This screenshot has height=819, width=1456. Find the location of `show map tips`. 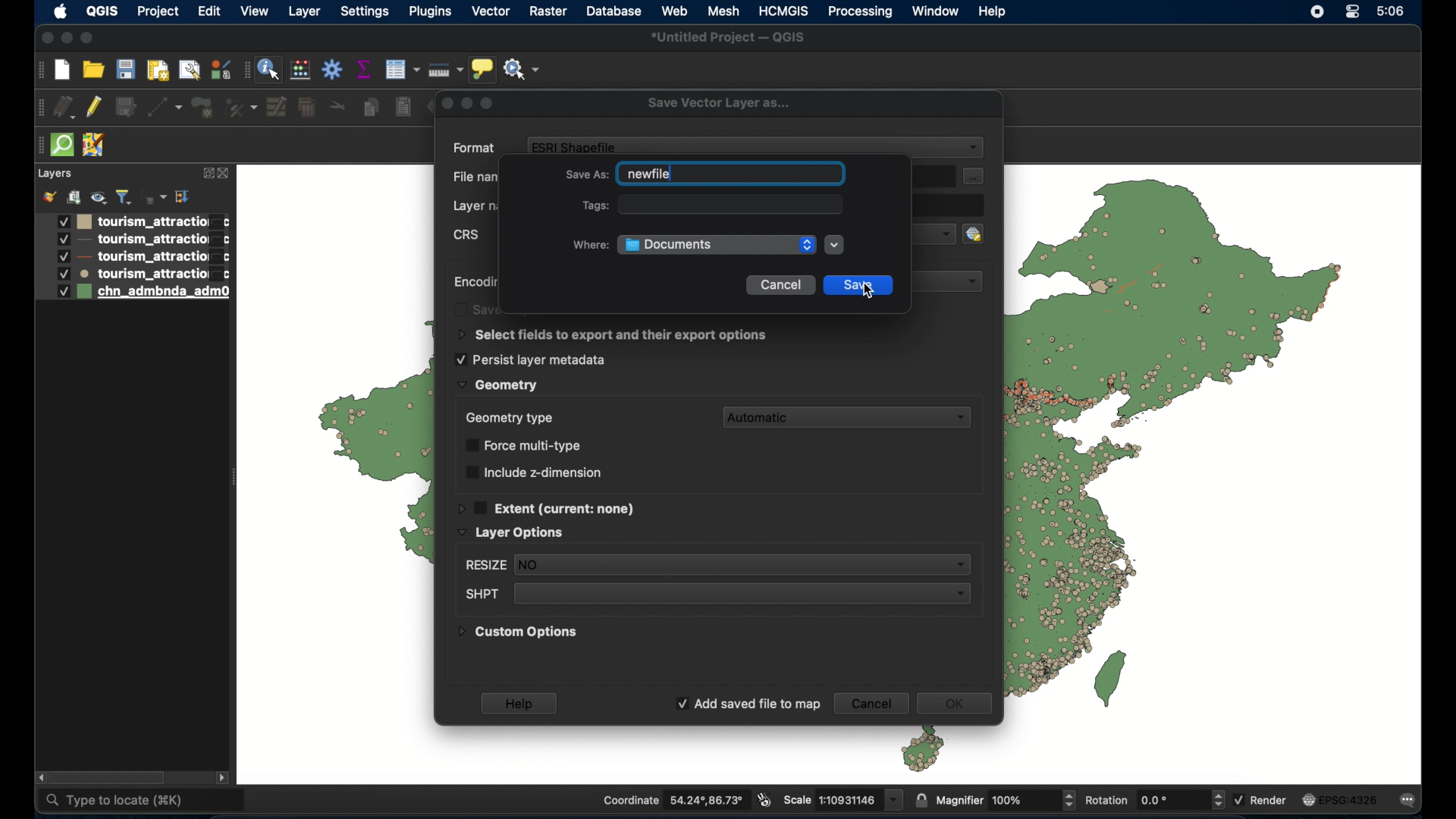

show map tips is located at coordinates (483, 69).